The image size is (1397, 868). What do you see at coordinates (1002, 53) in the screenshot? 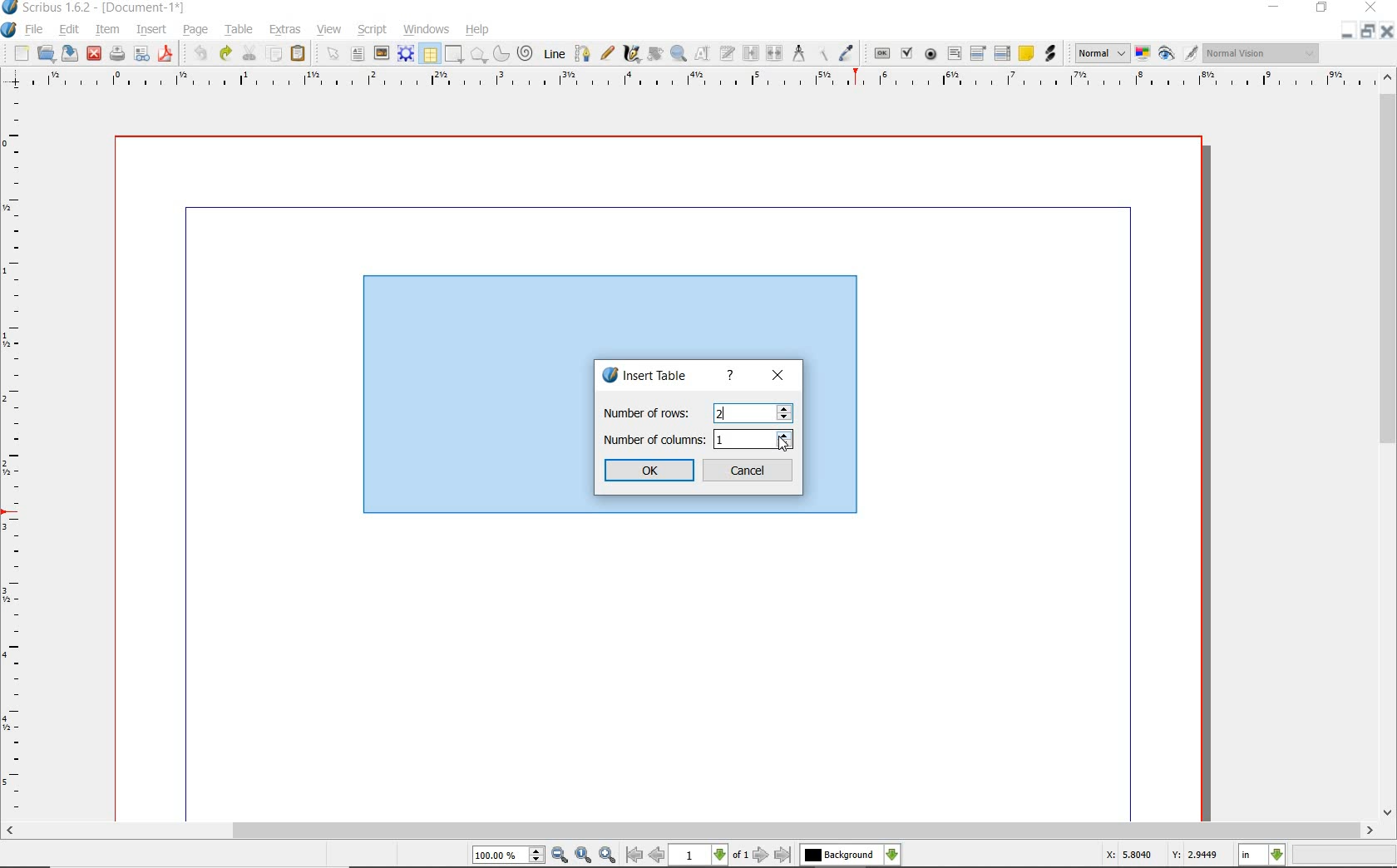
I see `PDF List Box` at bounding box center [1002, 53].